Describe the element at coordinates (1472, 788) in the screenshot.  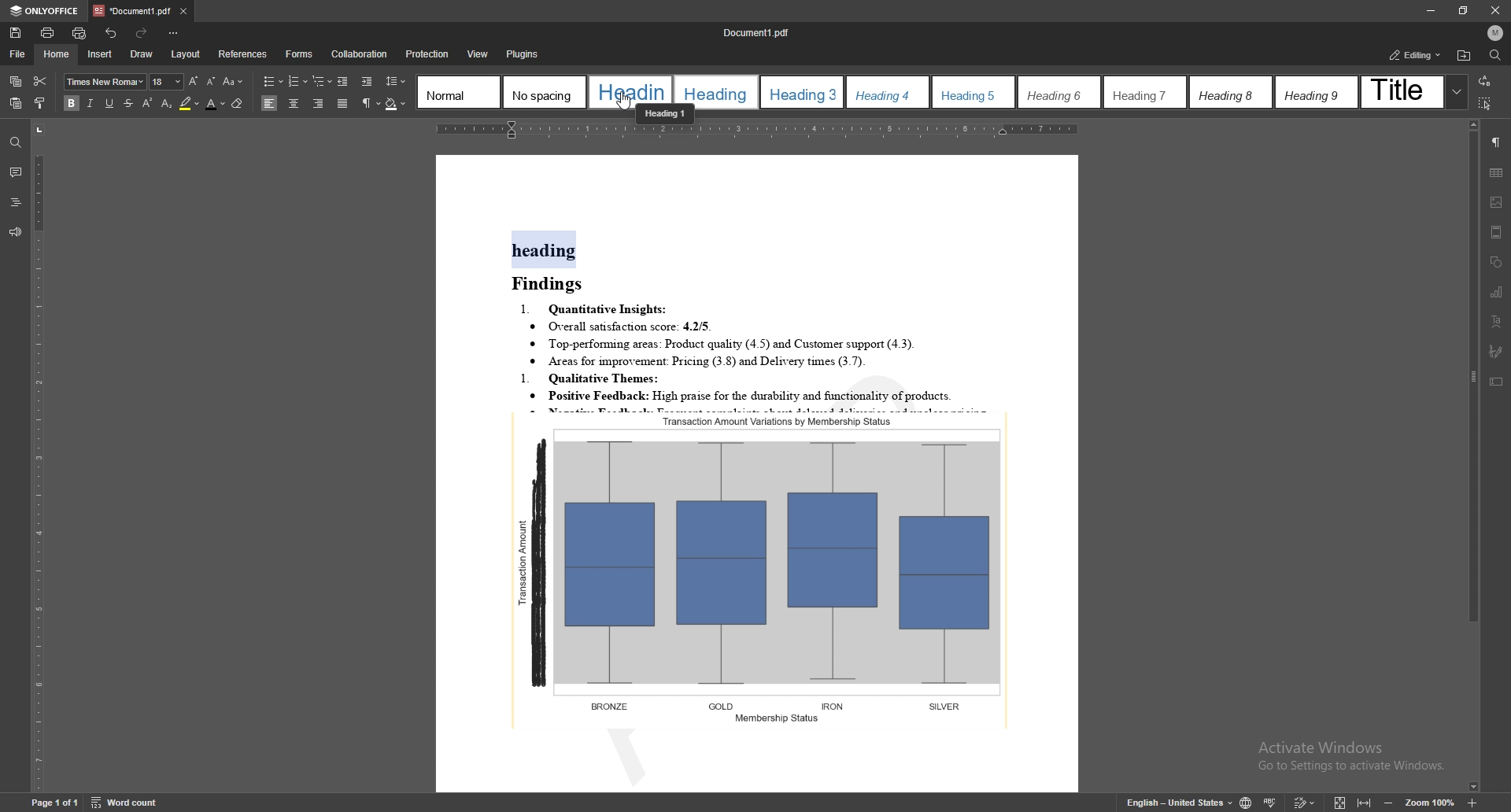
I see `scroll down` at that location.